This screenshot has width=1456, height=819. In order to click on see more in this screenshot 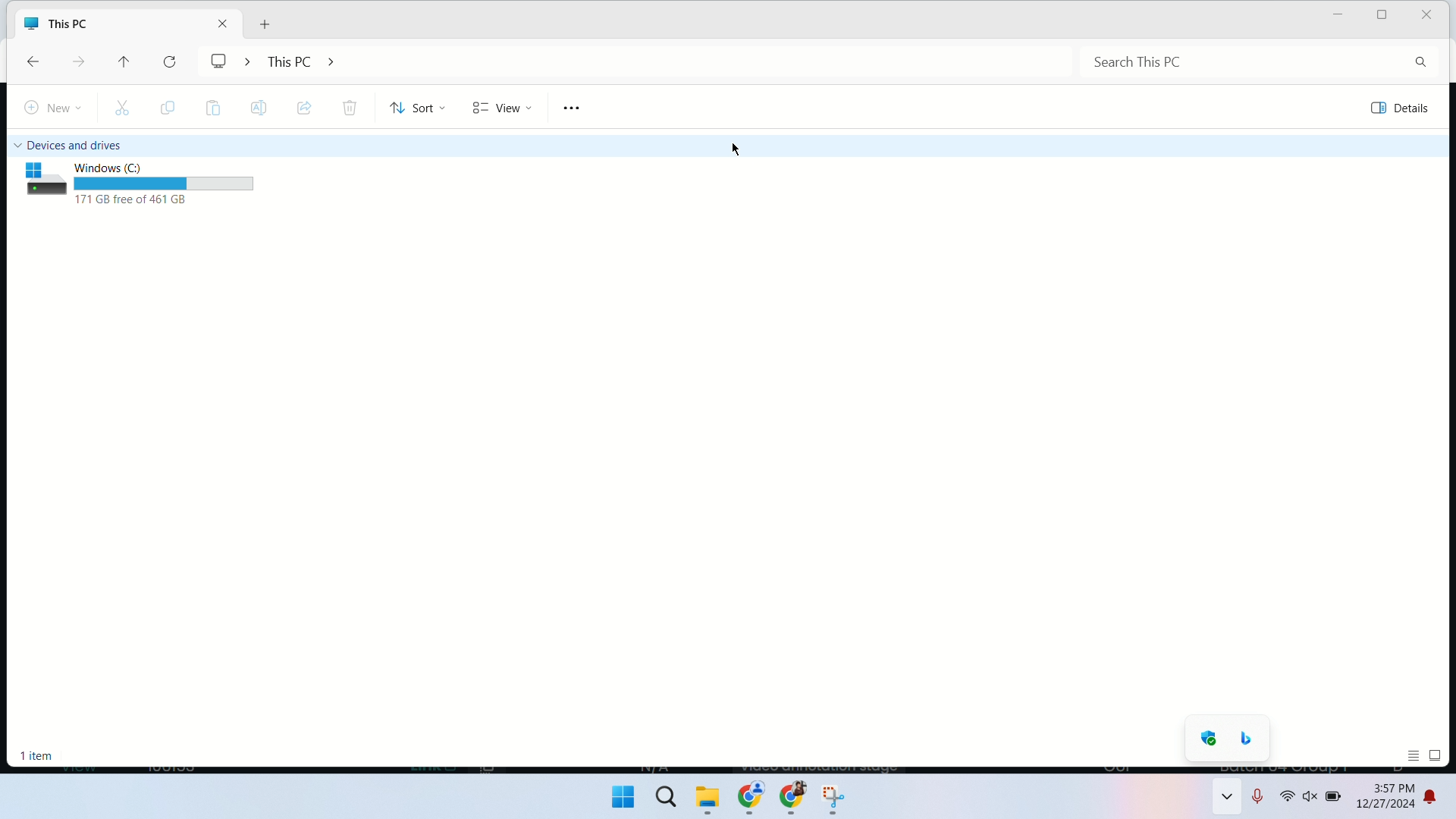, I will do `click(579, 108)`.